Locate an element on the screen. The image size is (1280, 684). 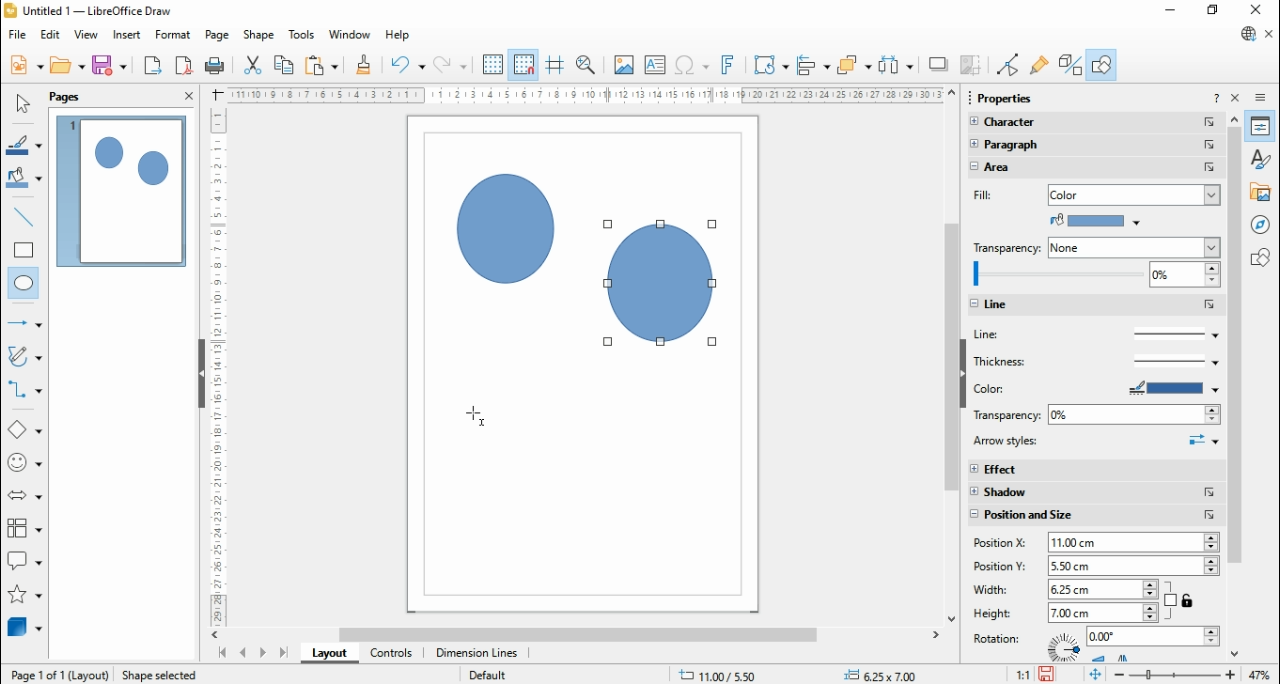
close panel is located at coordinates (189, 95).